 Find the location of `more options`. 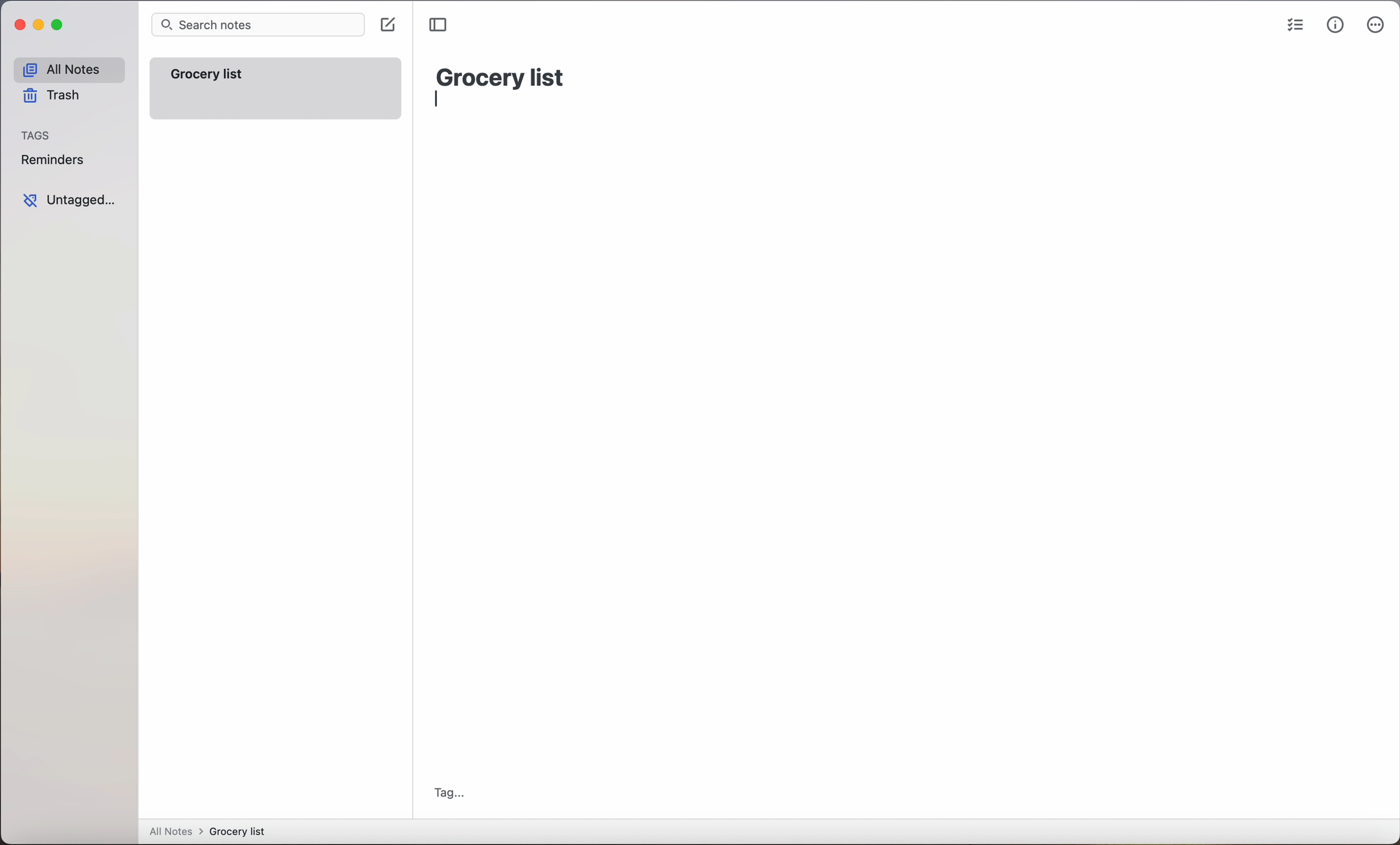

more options is located at coordinates (1376, 27).